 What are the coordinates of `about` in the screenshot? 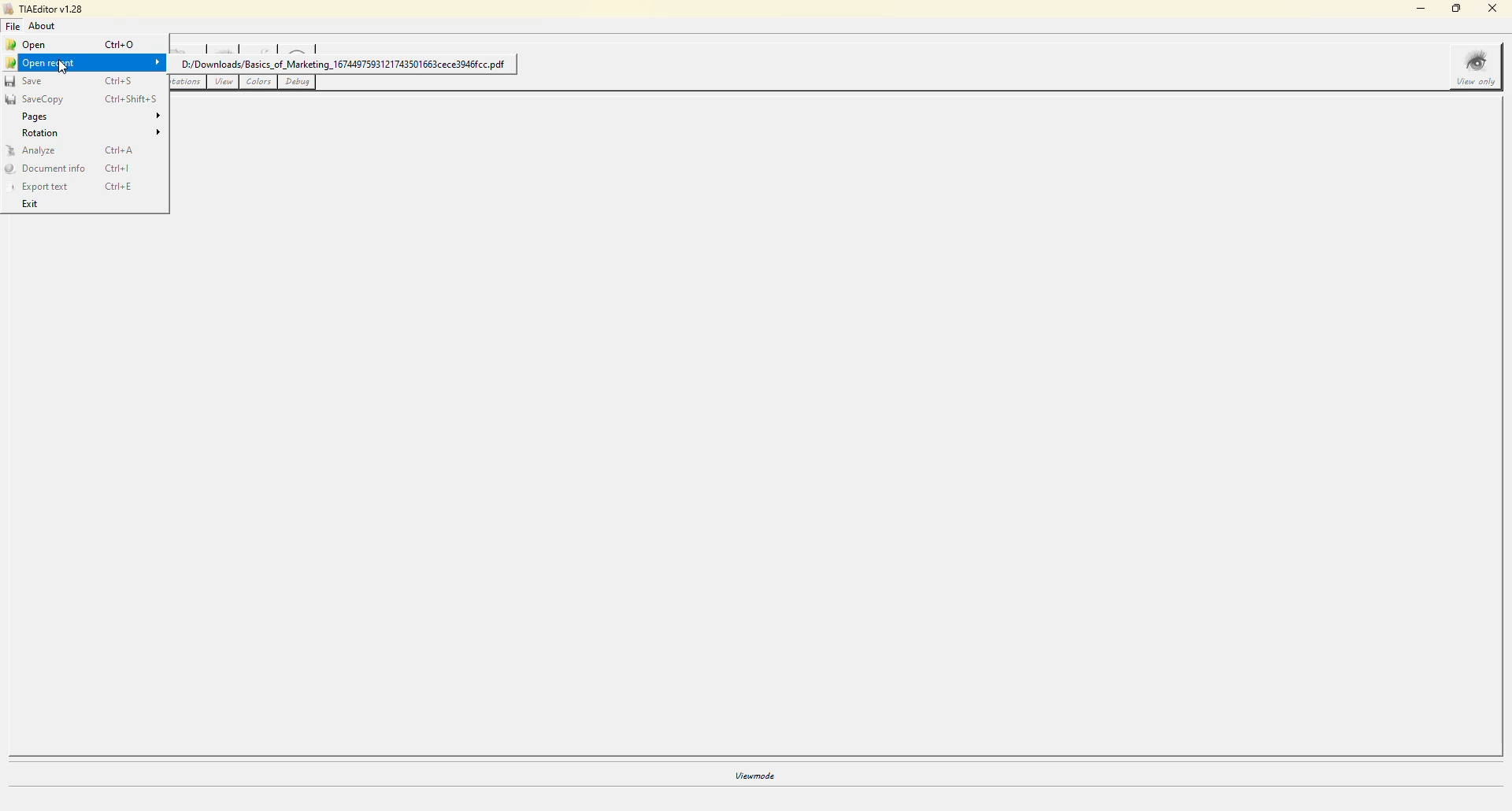 It's located at (42, 26).